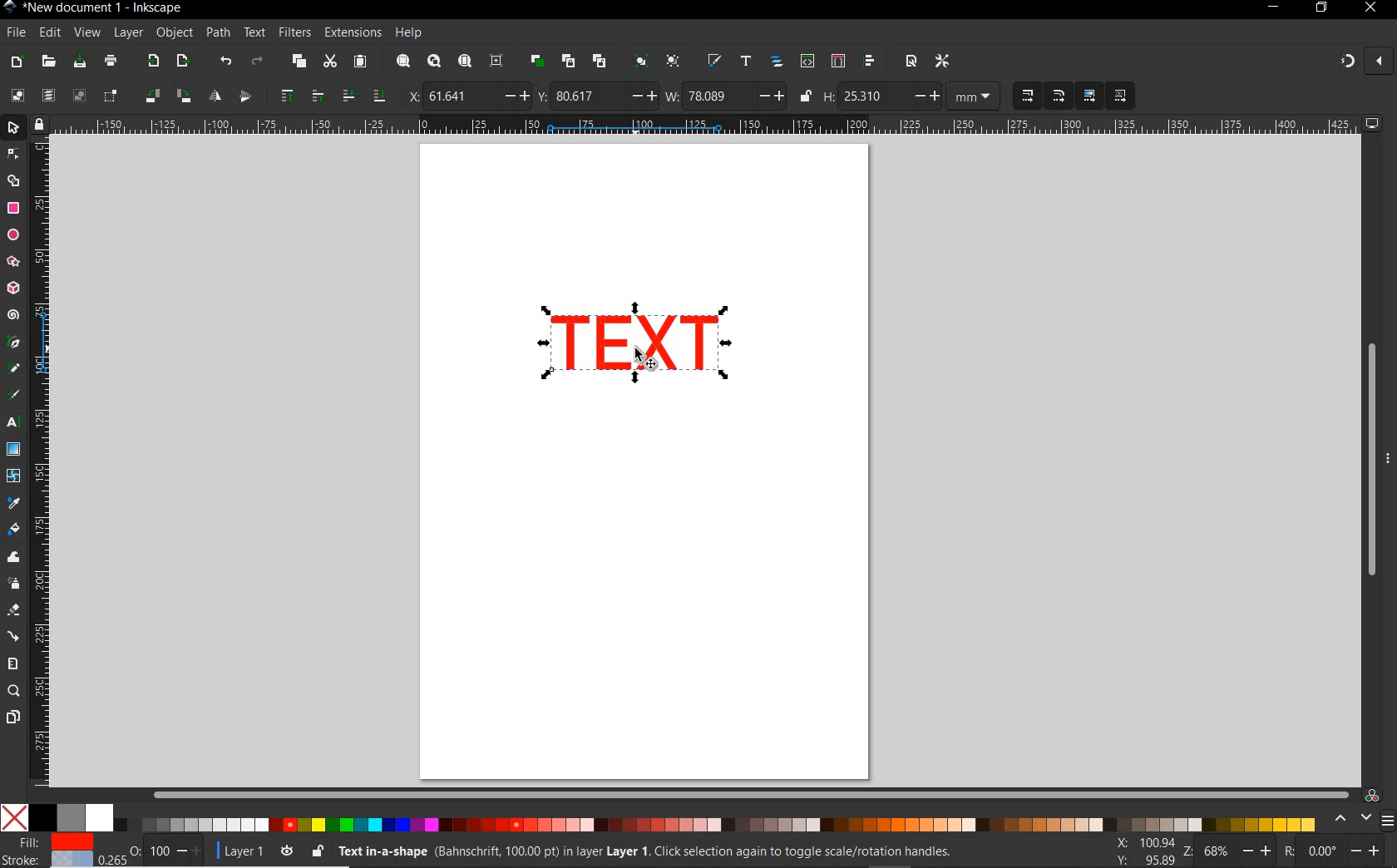 This screenshot has width=1397, height=868. I want to click on extensions, so click(352, 32).